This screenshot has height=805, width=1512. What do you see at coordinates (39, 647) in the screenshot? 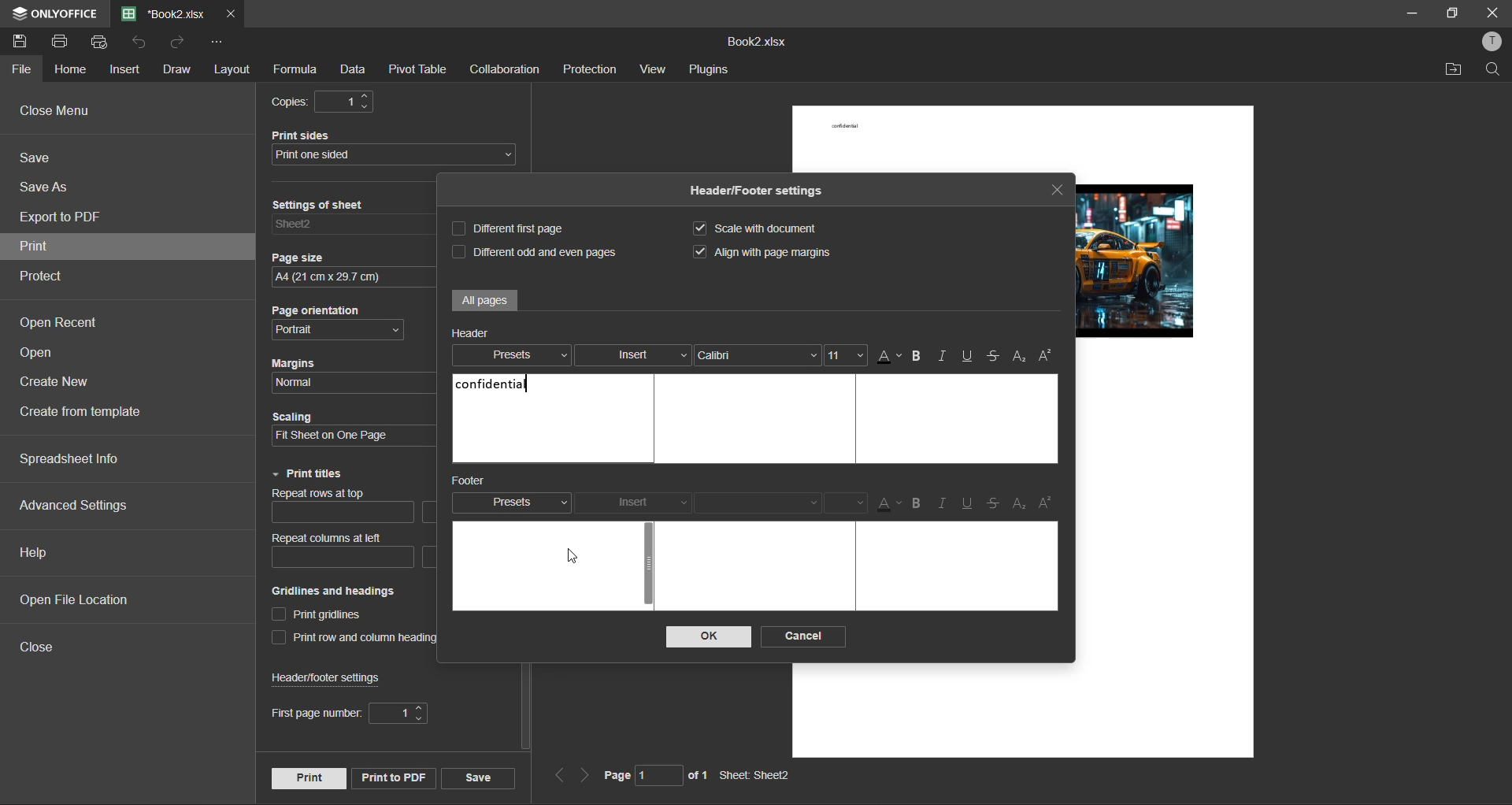
I see `close` at bounding box center [39, 647].